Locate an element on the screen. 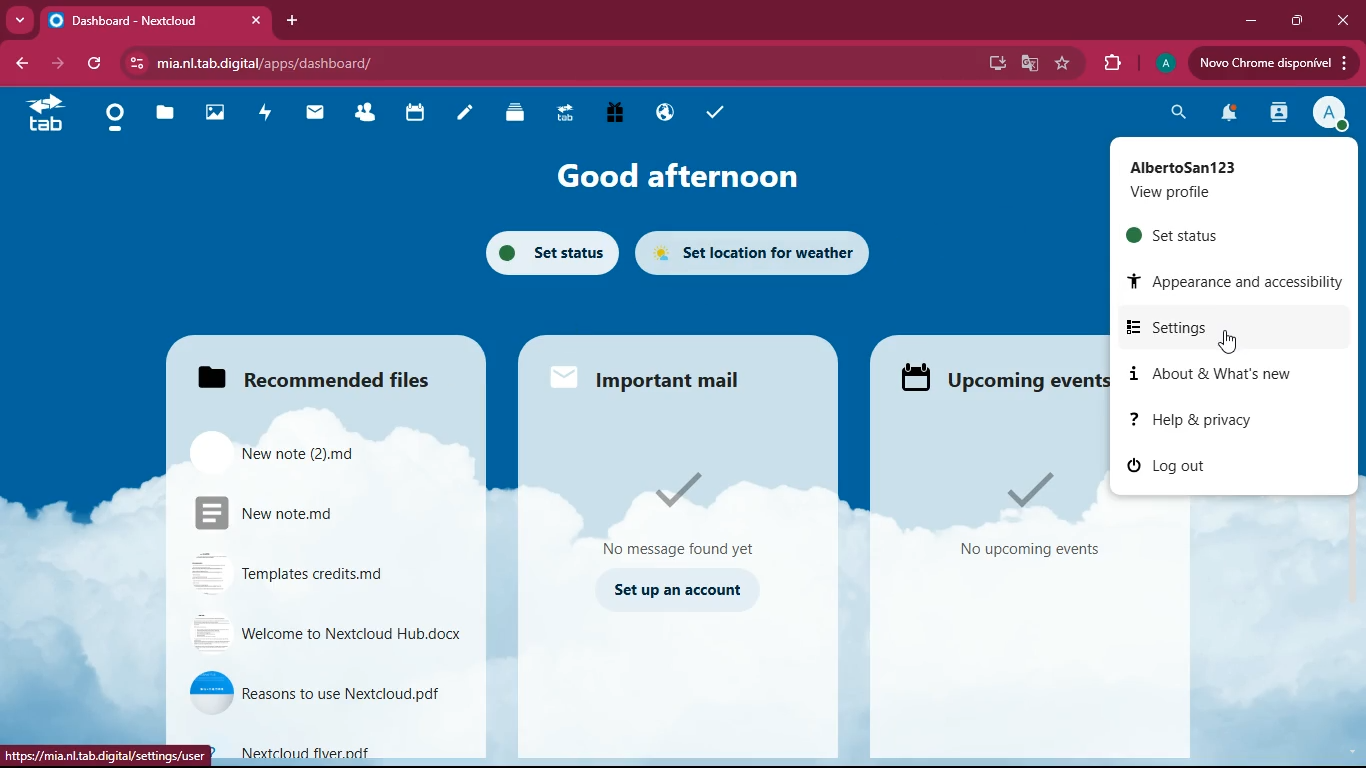 This screenshot has height=768, width=1366. extensions is located at coordinates (1107, 61).